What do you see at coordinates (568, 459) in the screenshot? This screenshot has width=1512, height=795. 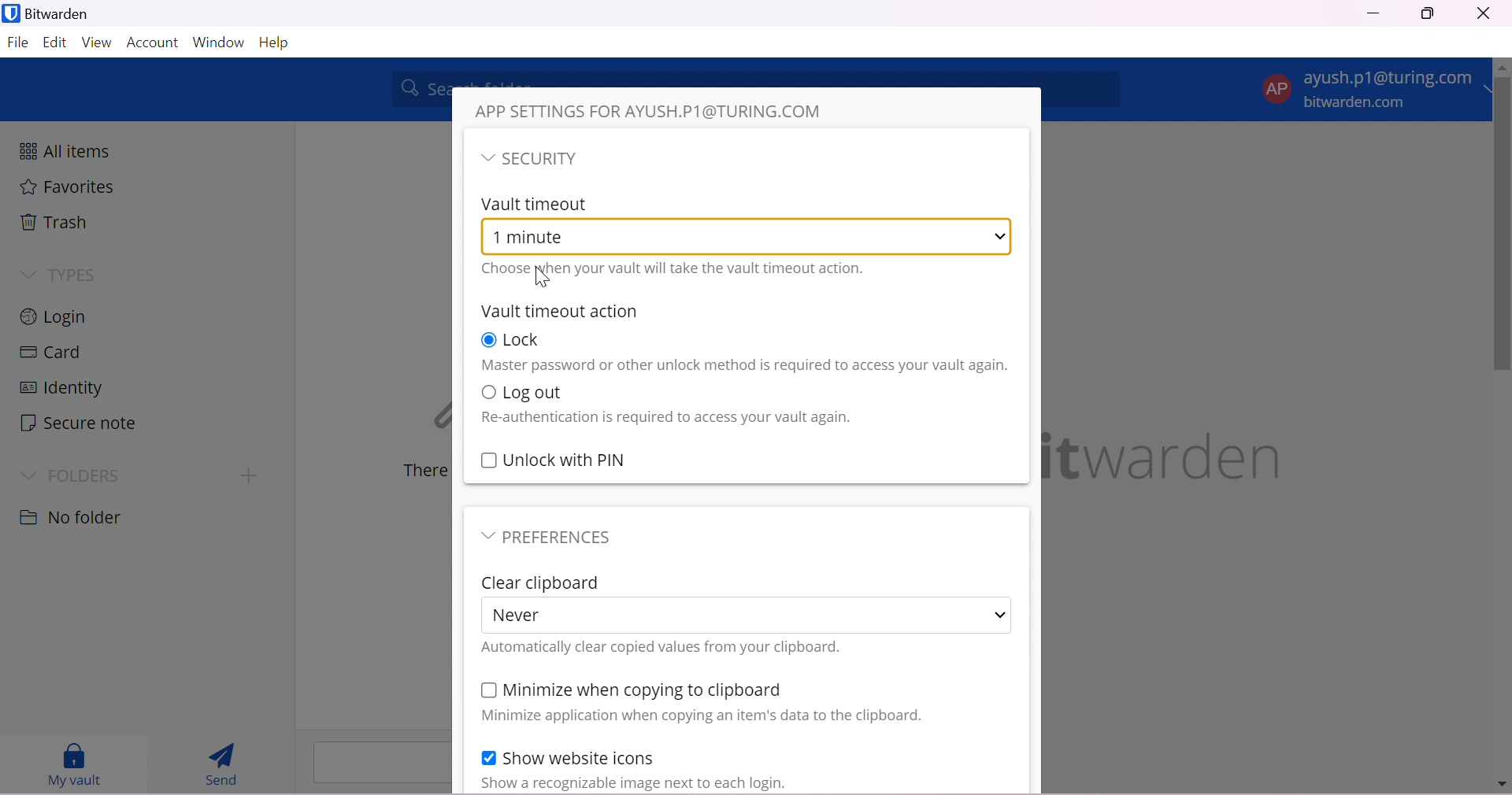 I see `Unlock with PIN` at bounding box center [568, 459].